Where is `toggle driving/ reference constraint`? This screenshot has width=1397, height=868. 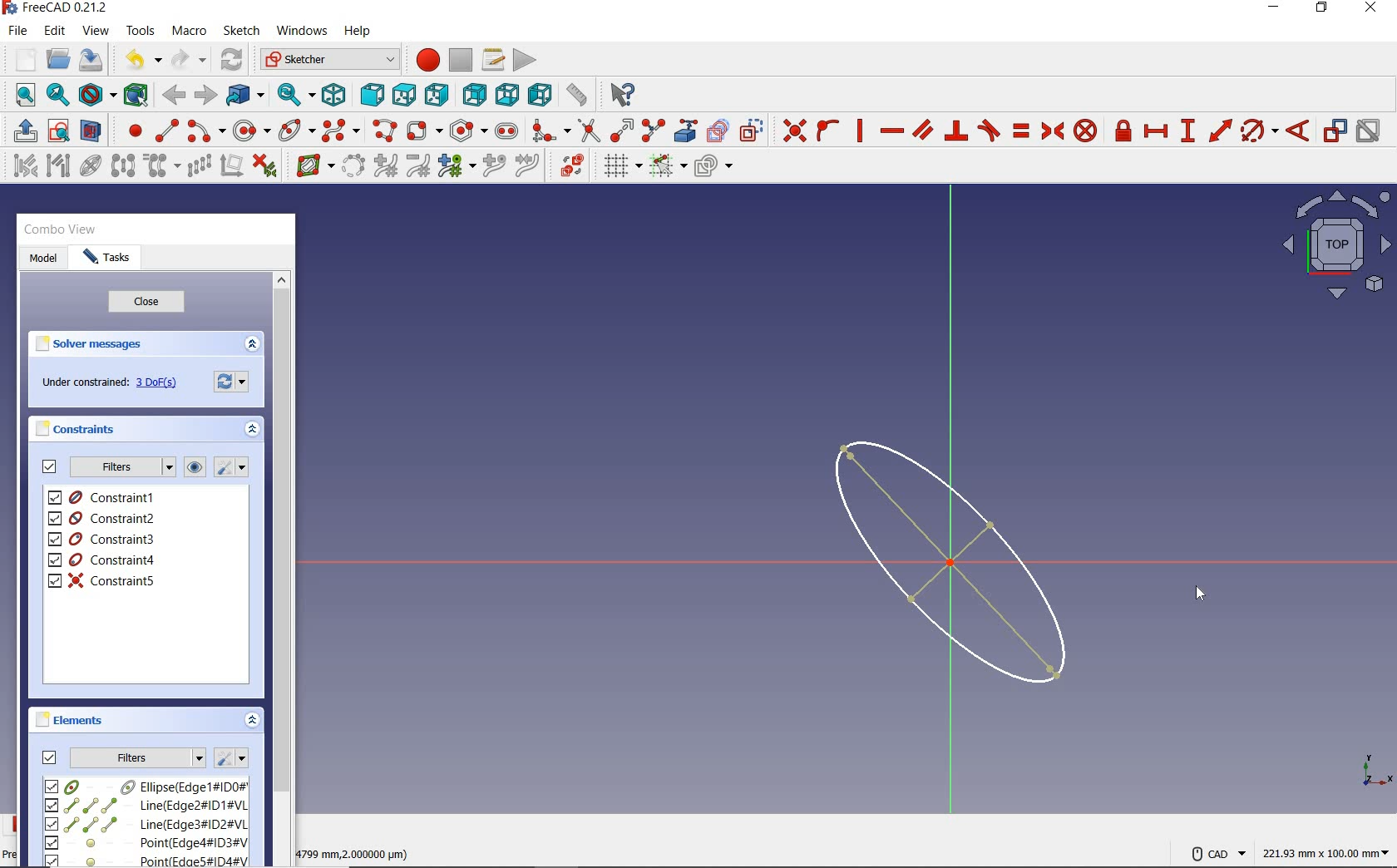 toggle driving/ reference constraint is located at coordinates (1335, 130).